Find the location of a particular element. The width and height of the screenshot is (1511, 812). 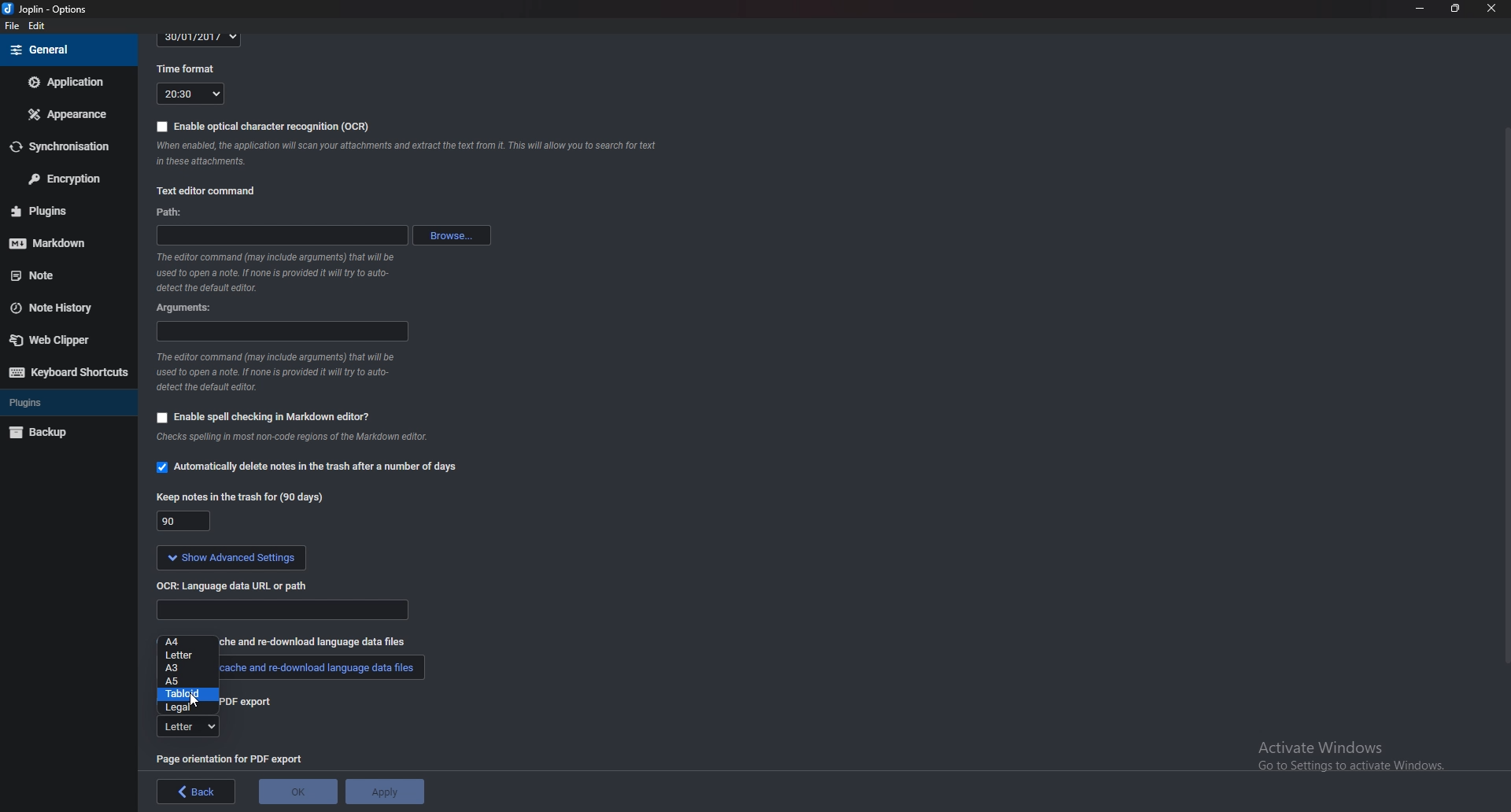

20:30 is located at coordinates (190, 94).